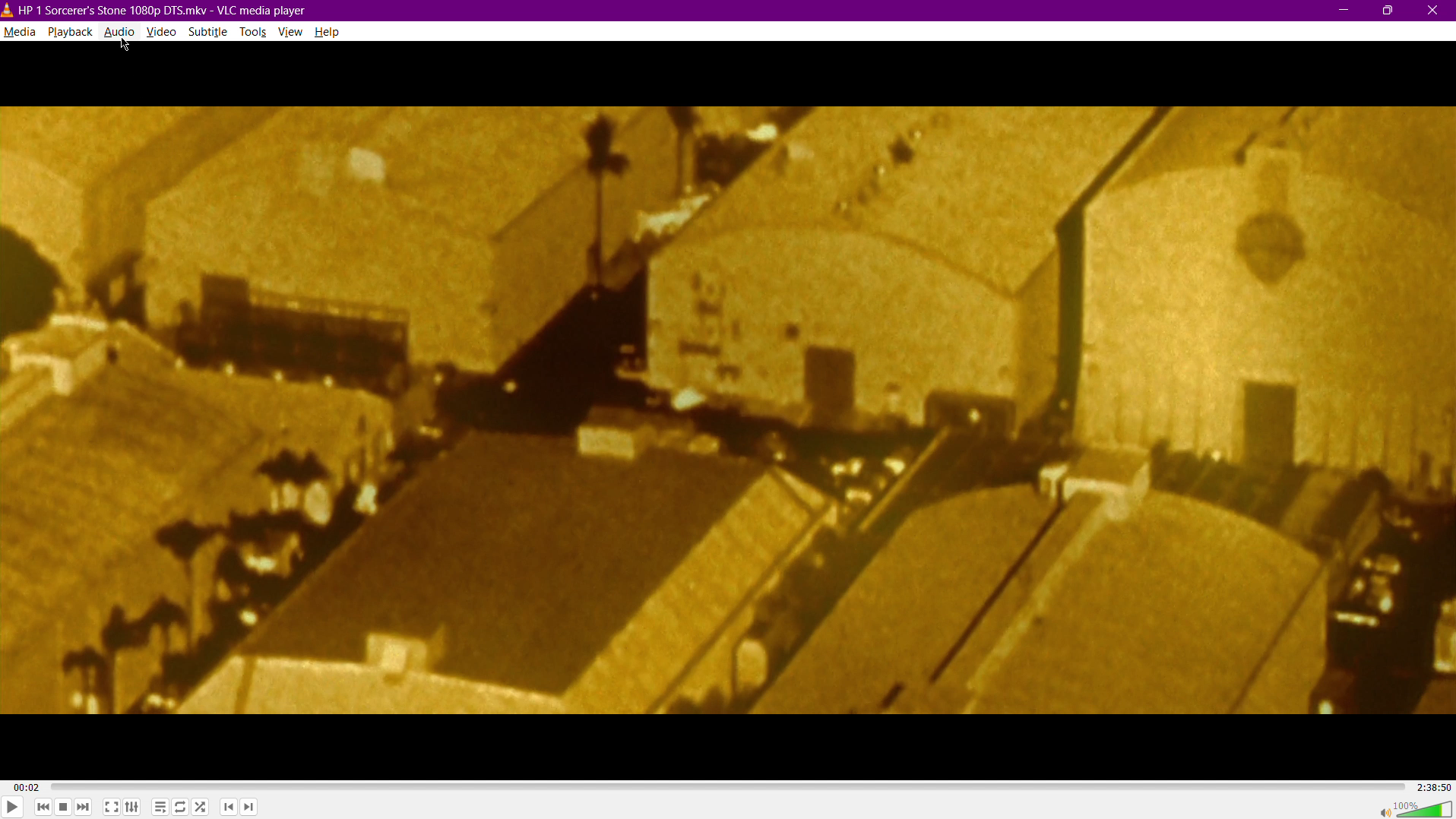 Image resolution: width=1456 pixels, height=819 pixels. What do you see at coordinates (43, 808) in the screenshot?
I see `Skip Back` at bounding box center [43, 808].